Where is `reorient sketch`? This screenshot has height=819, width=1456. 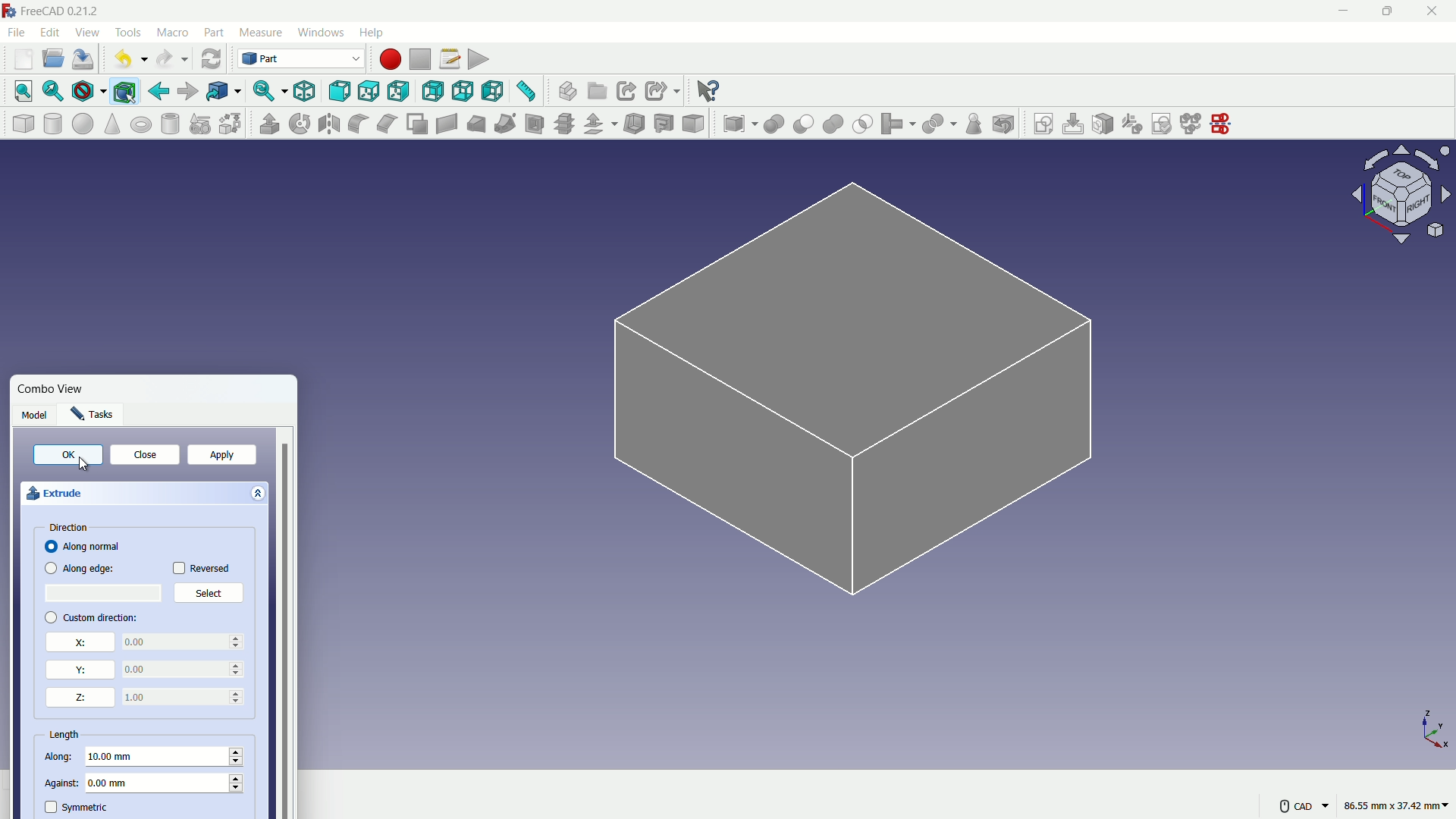 reorient sketch is located at coordinates (1131, 123).